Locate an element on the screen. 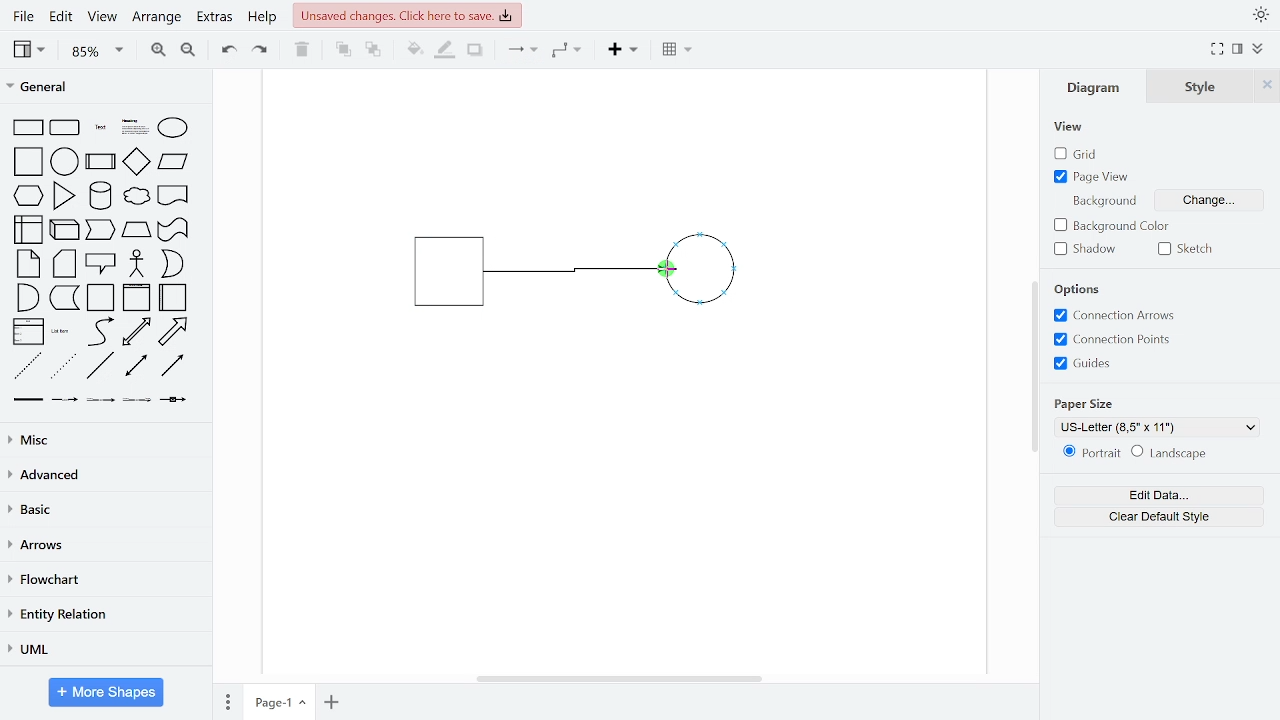 The height and width of the screenshot is (720, 1280). view is located at coordinates (100, 18).